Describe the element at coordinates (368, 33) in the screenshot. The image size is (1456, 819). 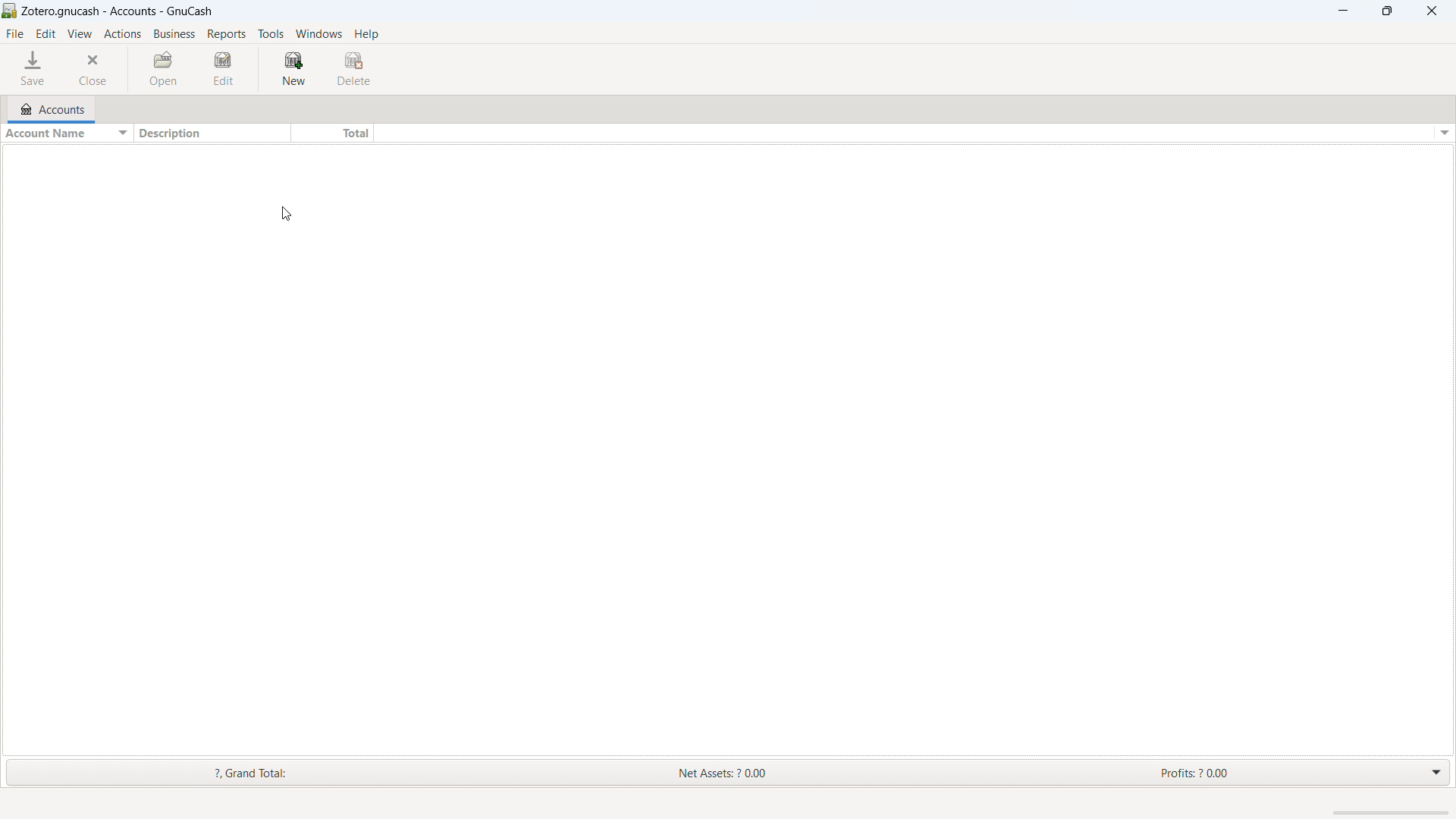
I see `help` at that location.